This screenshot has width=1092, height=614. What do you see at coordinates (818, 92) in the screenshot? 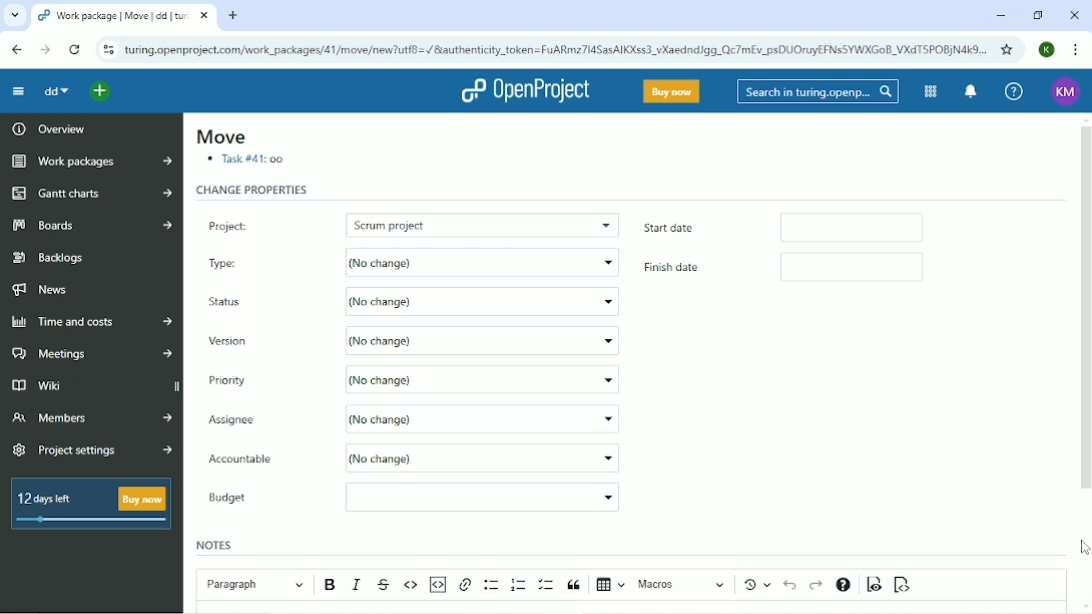
I see `Search` at bounding box center [818, 92].